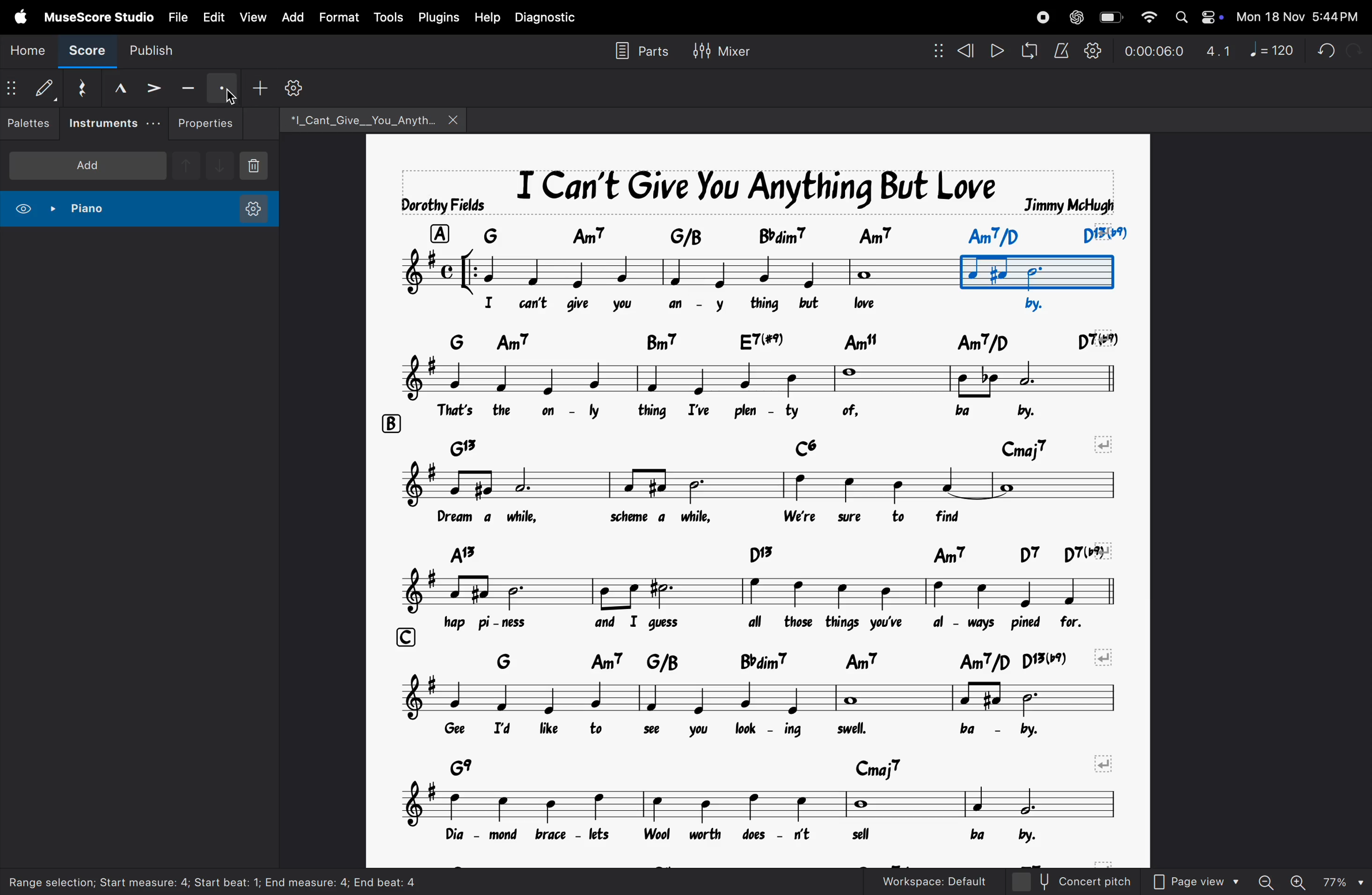  Describe the element at coordinates (1343, 881) in the screenshot. I see `page zoom level` at that location.